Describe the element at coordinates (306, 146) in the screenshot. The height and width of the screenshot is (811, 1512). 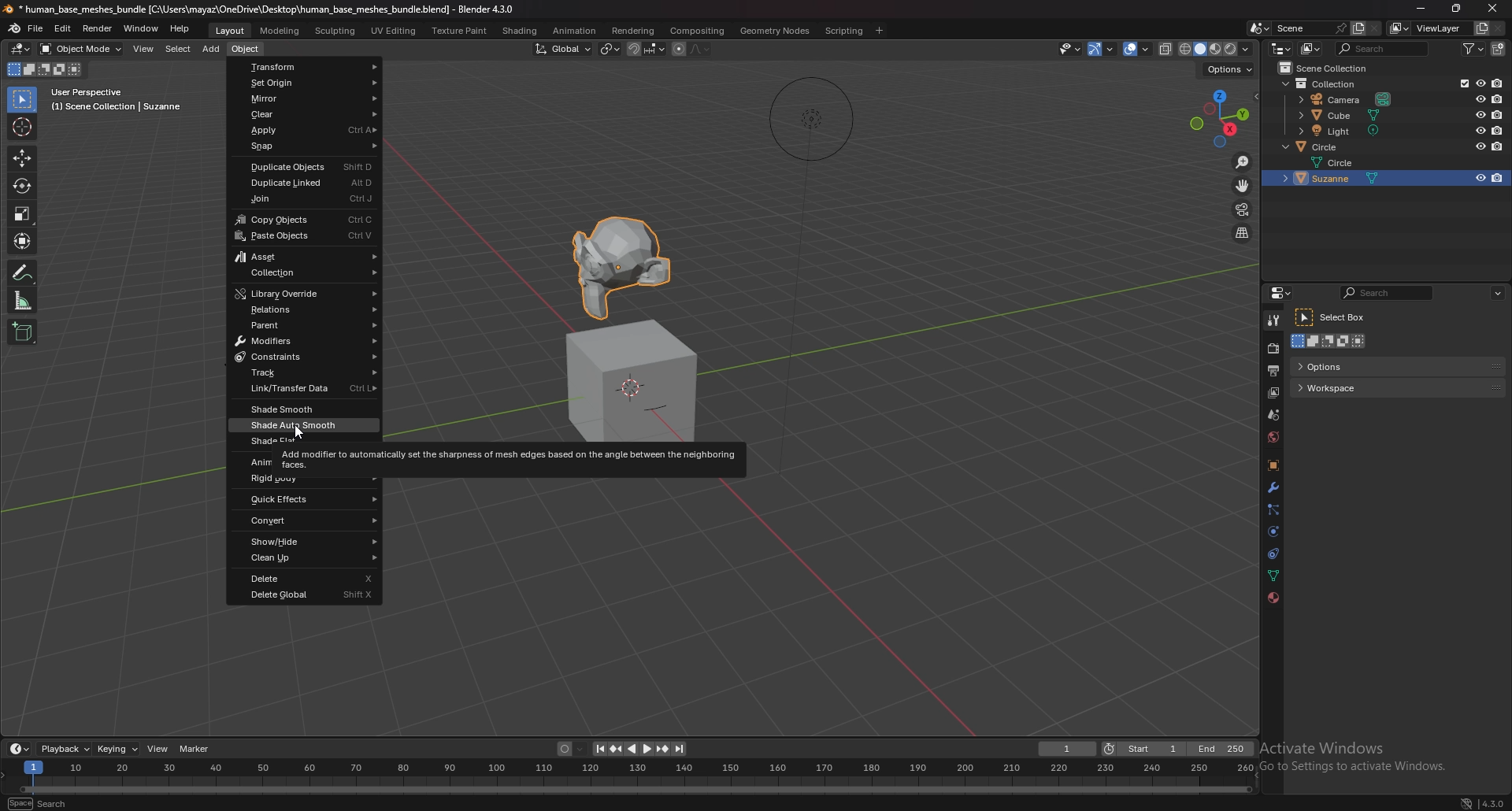
I see `snap` at that location.